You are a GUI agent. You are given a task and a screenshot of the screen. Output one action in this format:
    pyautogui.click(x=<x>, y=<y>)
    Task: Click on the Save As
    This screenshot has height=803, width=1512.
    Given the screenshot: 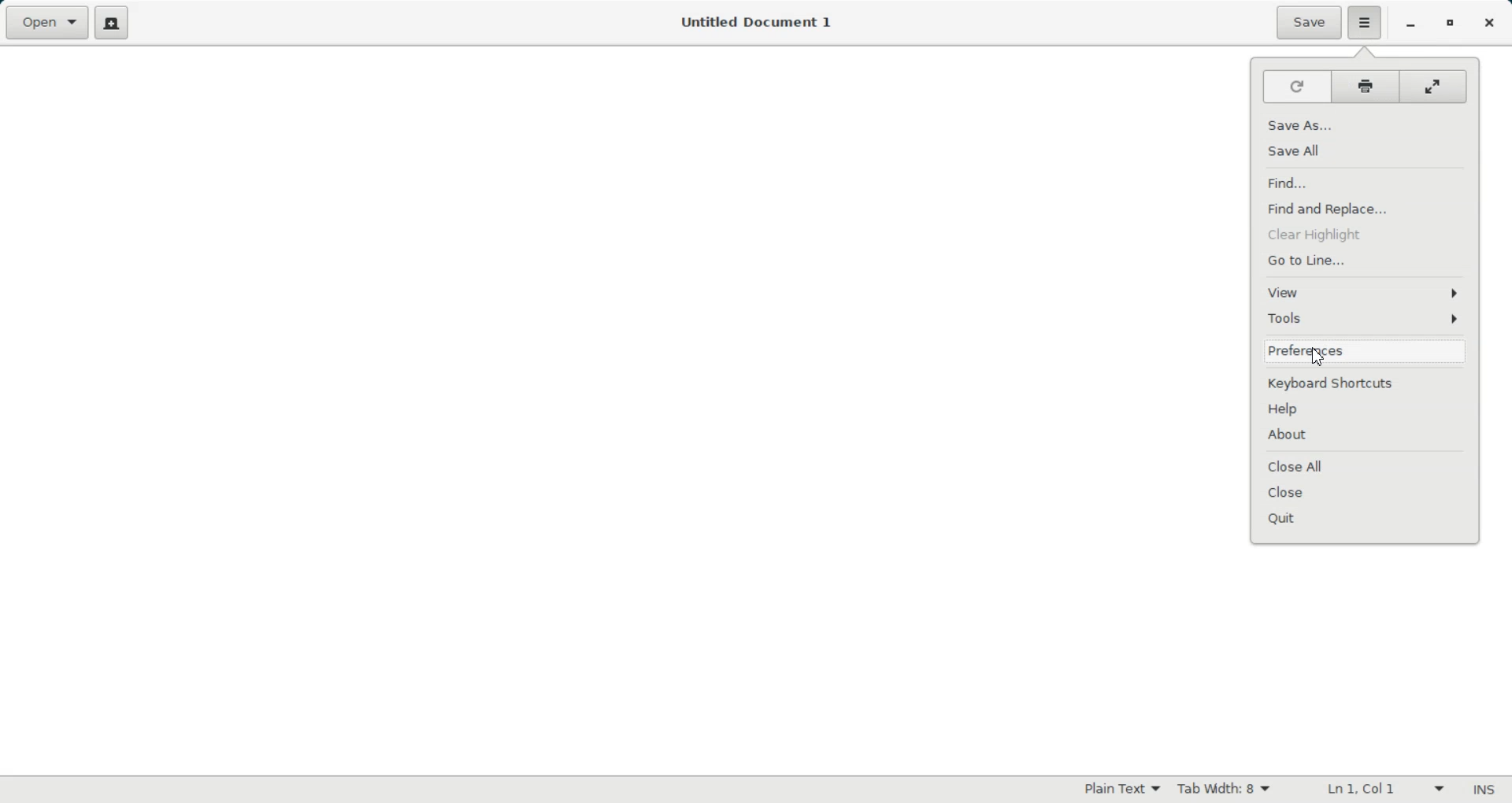 What is the action you would take?
    pyautogui.click(x=1365, y=124)
    